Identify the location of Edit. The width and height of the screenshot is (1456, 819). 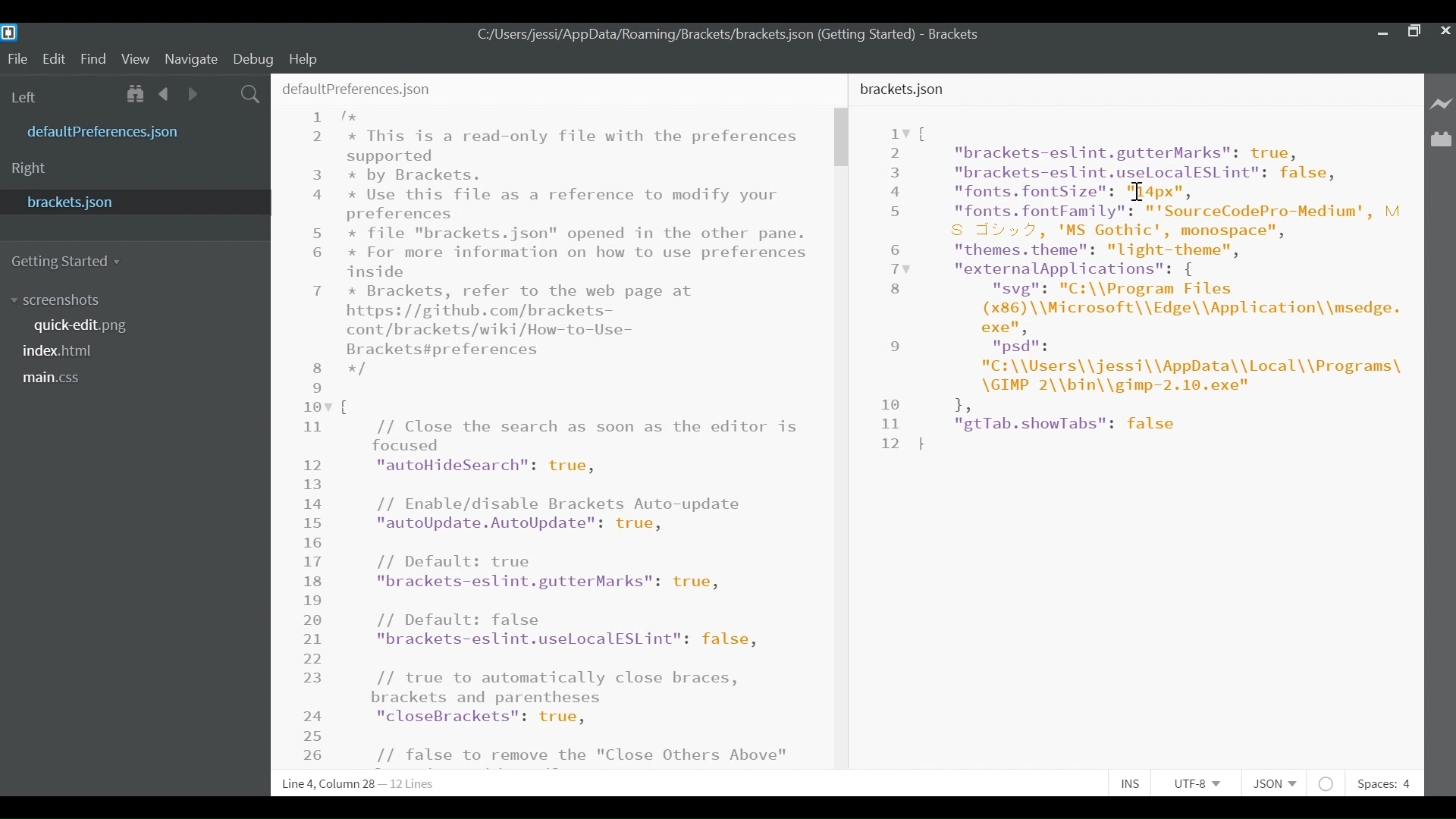
(57, 58).